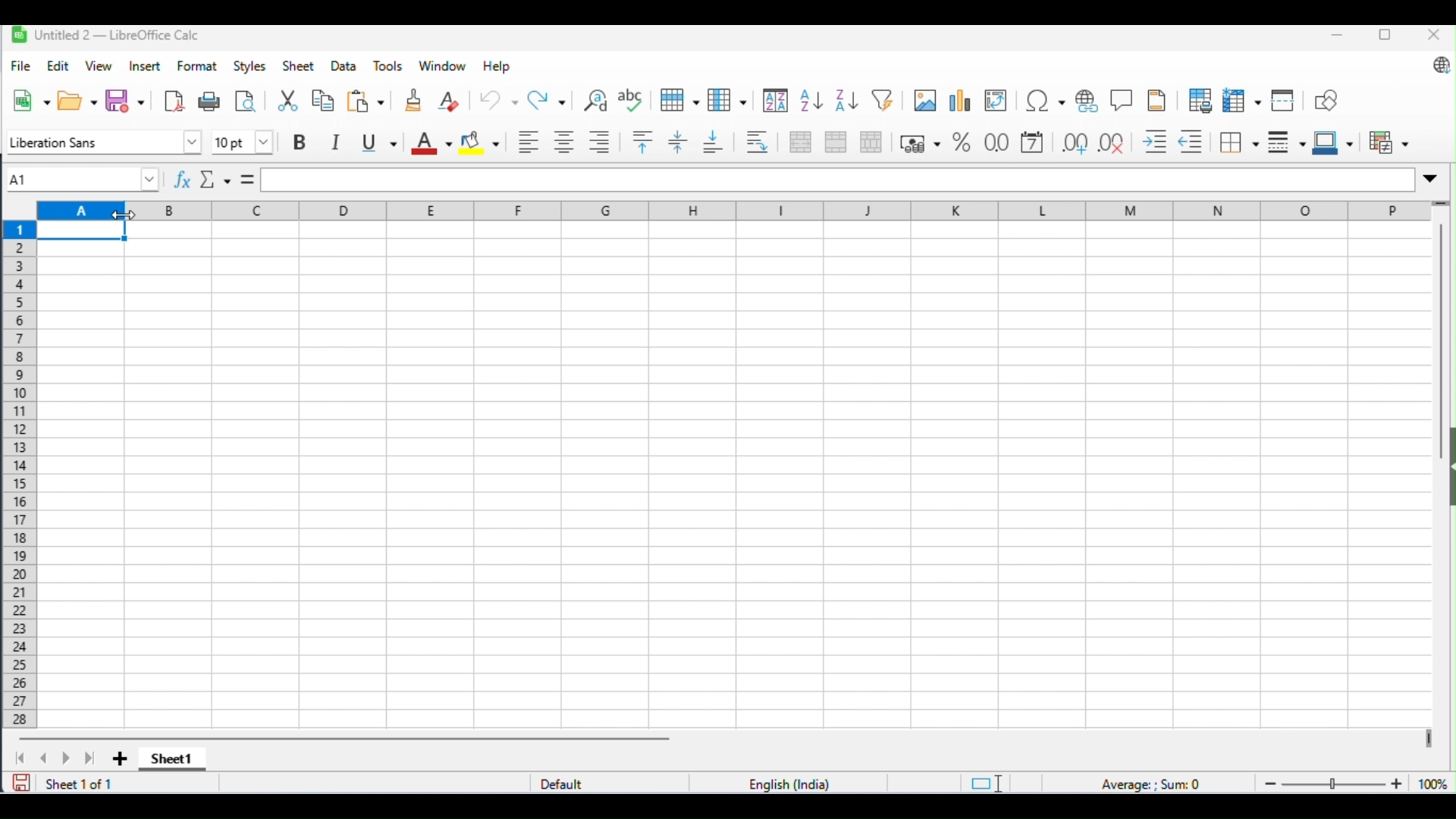 This screenshot has height=819, width=1456. What do you see at coordinates (119, 758) in the screenshot?
I see `add sheet` at bounding box center [119, 758].